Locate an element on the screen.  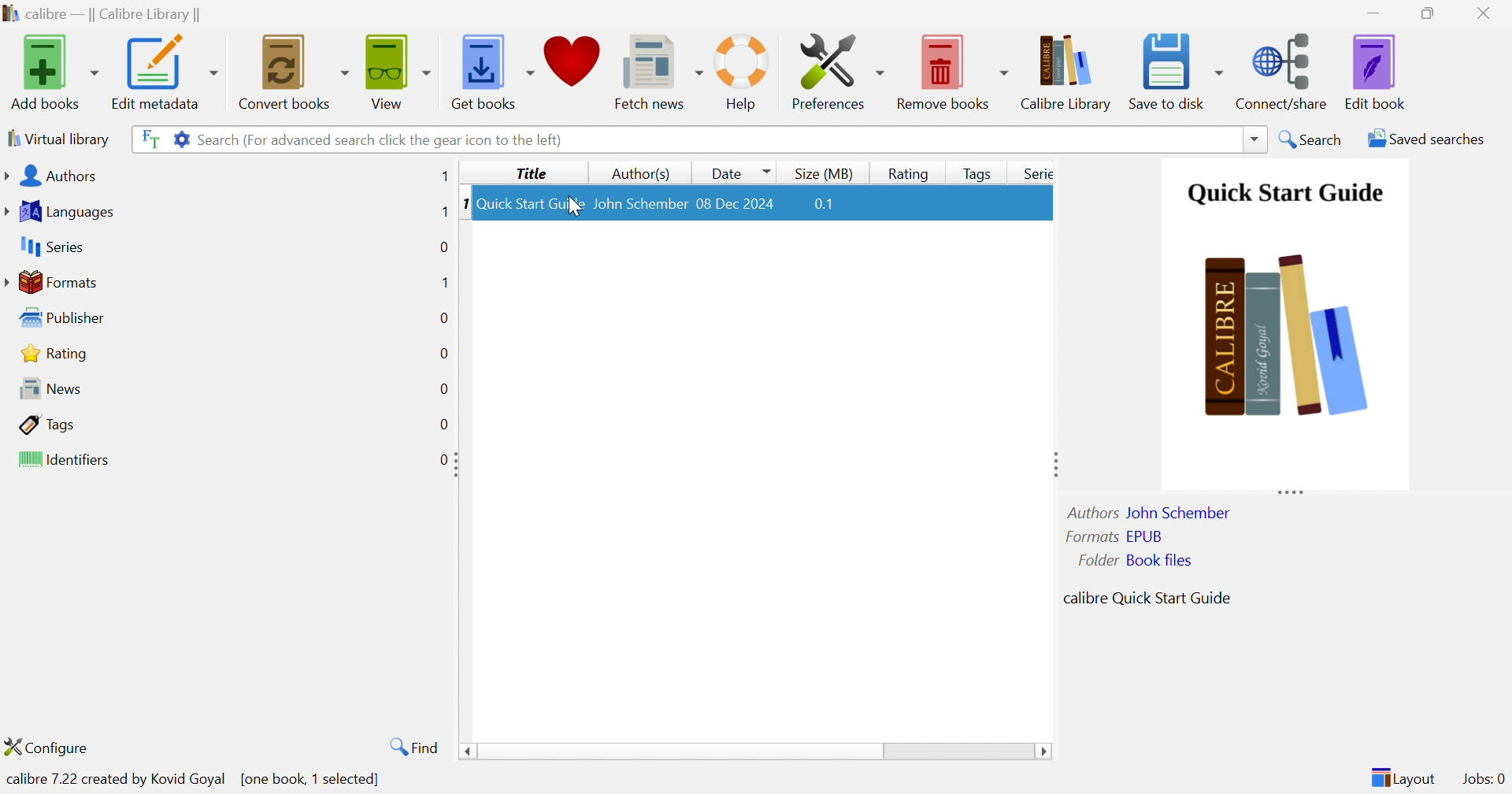
Save to disk is located at coordinates (1175, 71).